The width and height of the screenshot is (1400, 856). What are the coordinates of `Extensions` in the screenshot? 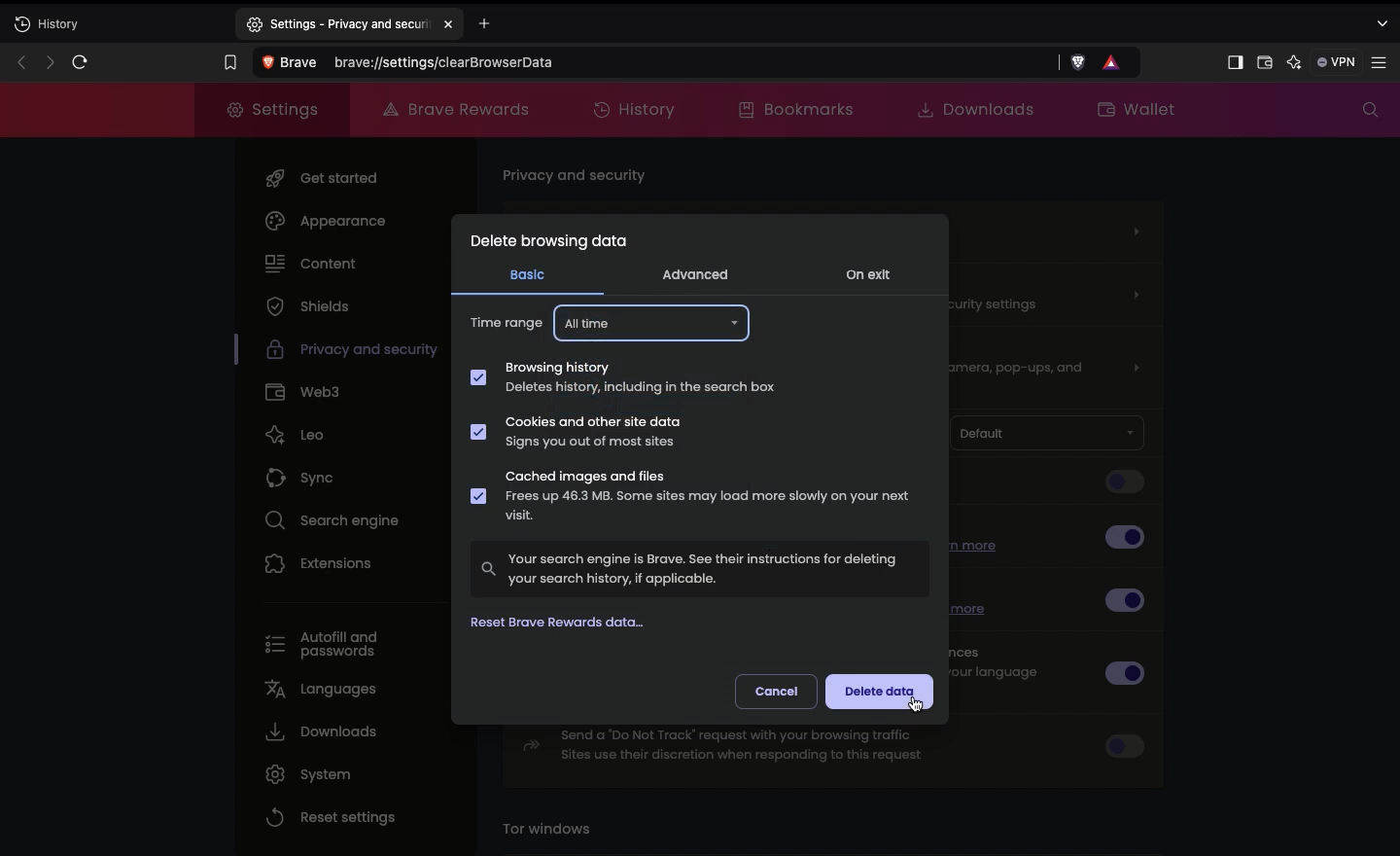 It's located at (319, 566).